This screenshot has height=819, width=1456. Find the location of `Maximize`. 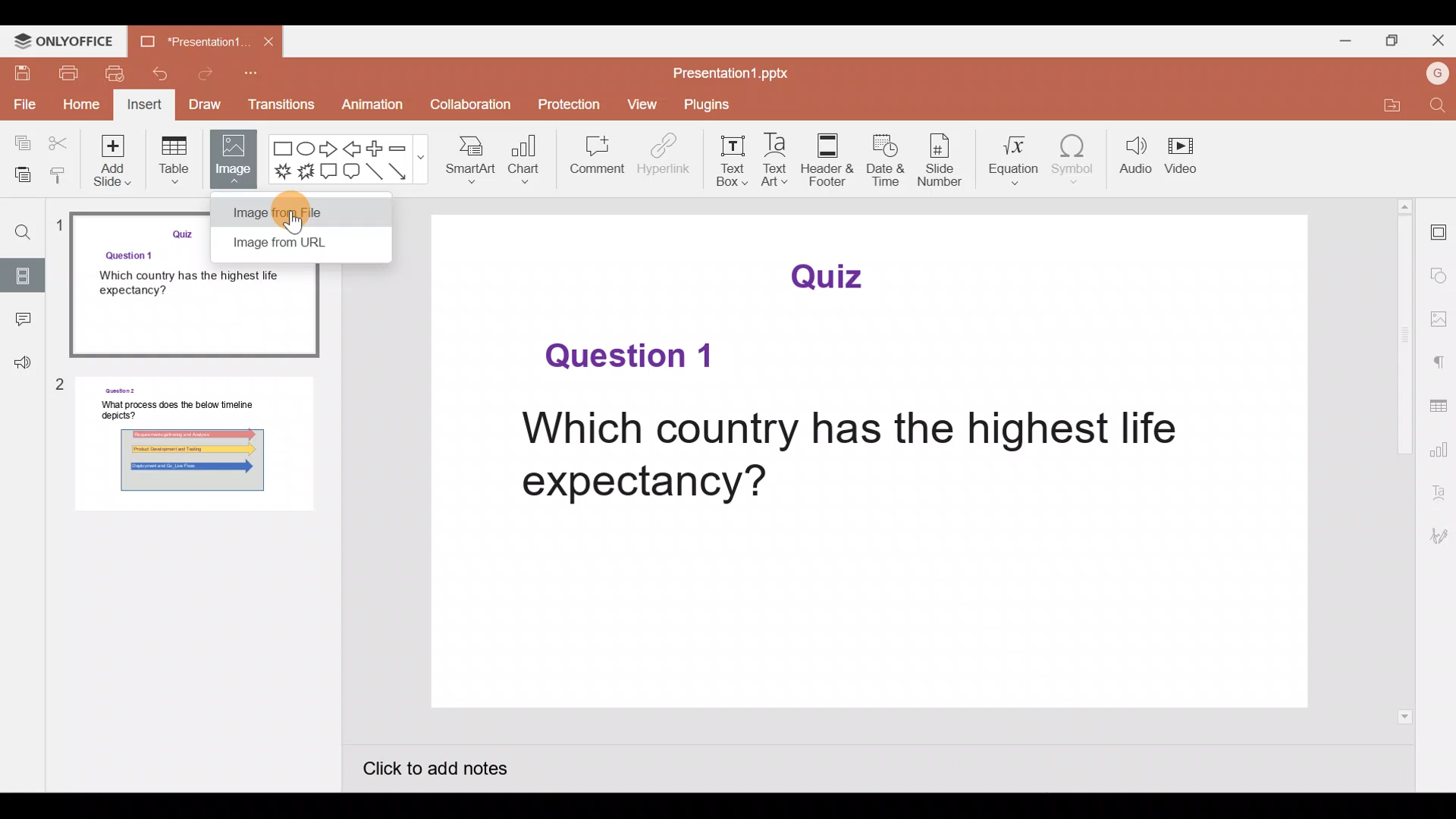

Maximize is located at coordinates (1392, 39).